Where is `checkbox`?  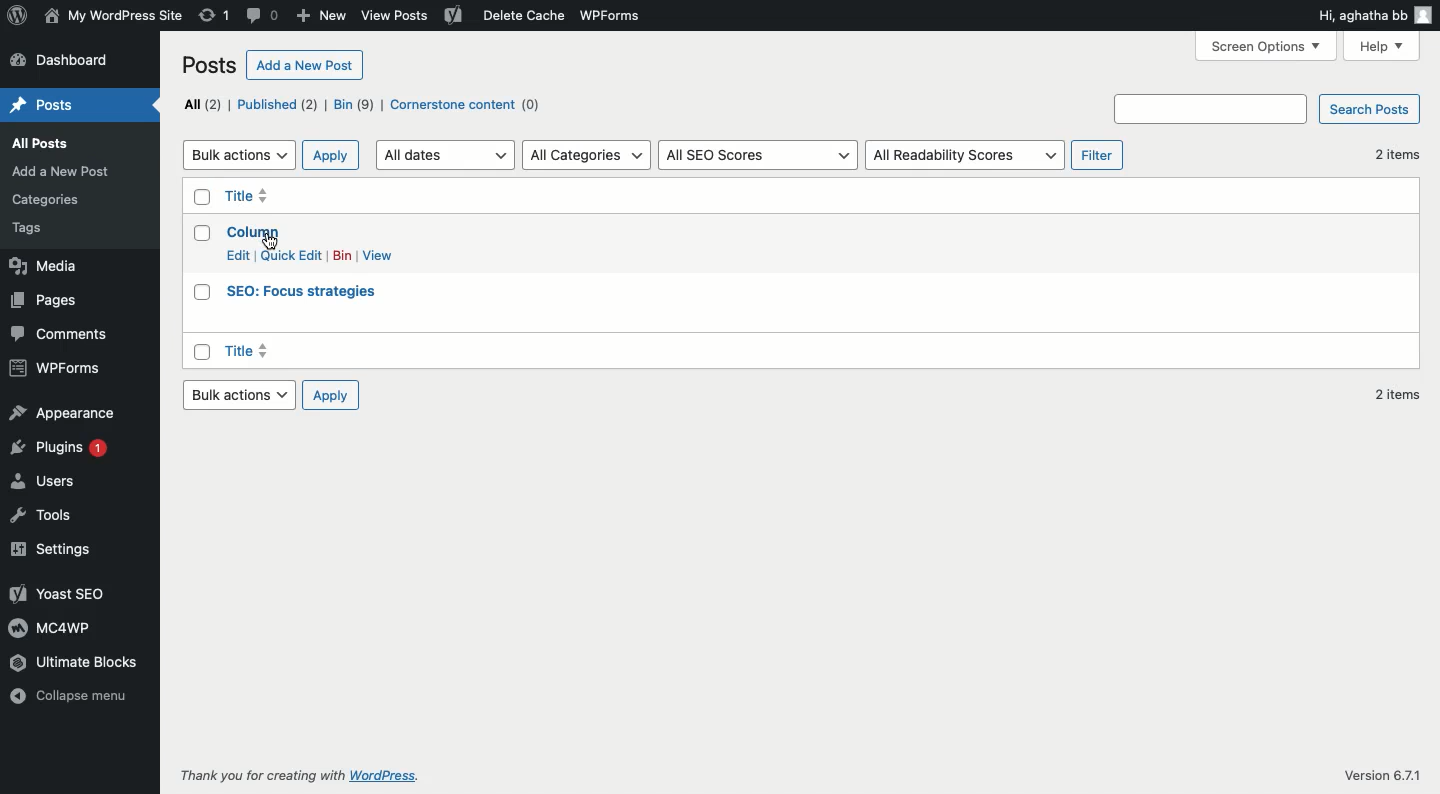 checkbox is located at coordinates (201, 293).